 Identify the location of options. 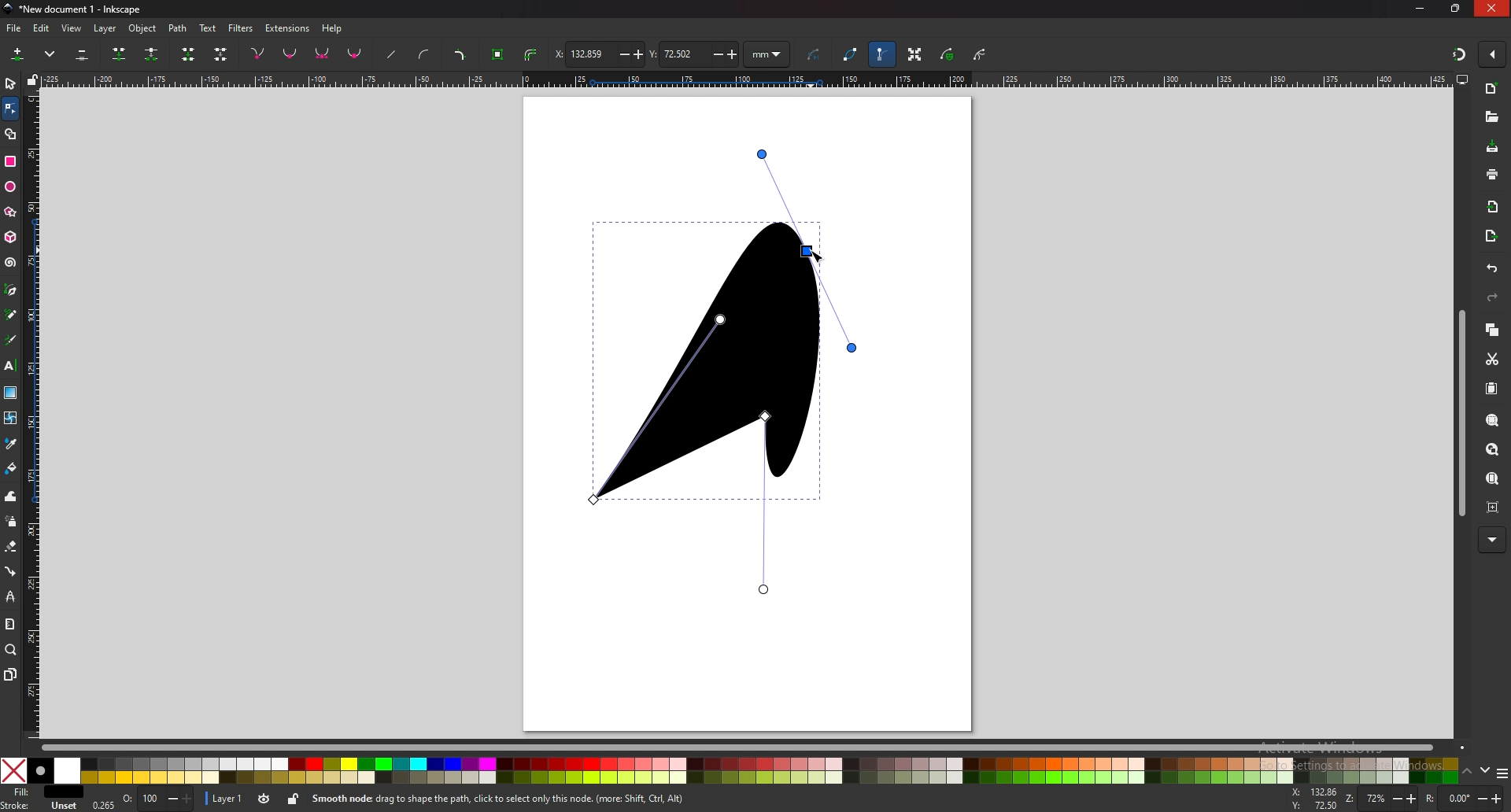
(1502, 773).